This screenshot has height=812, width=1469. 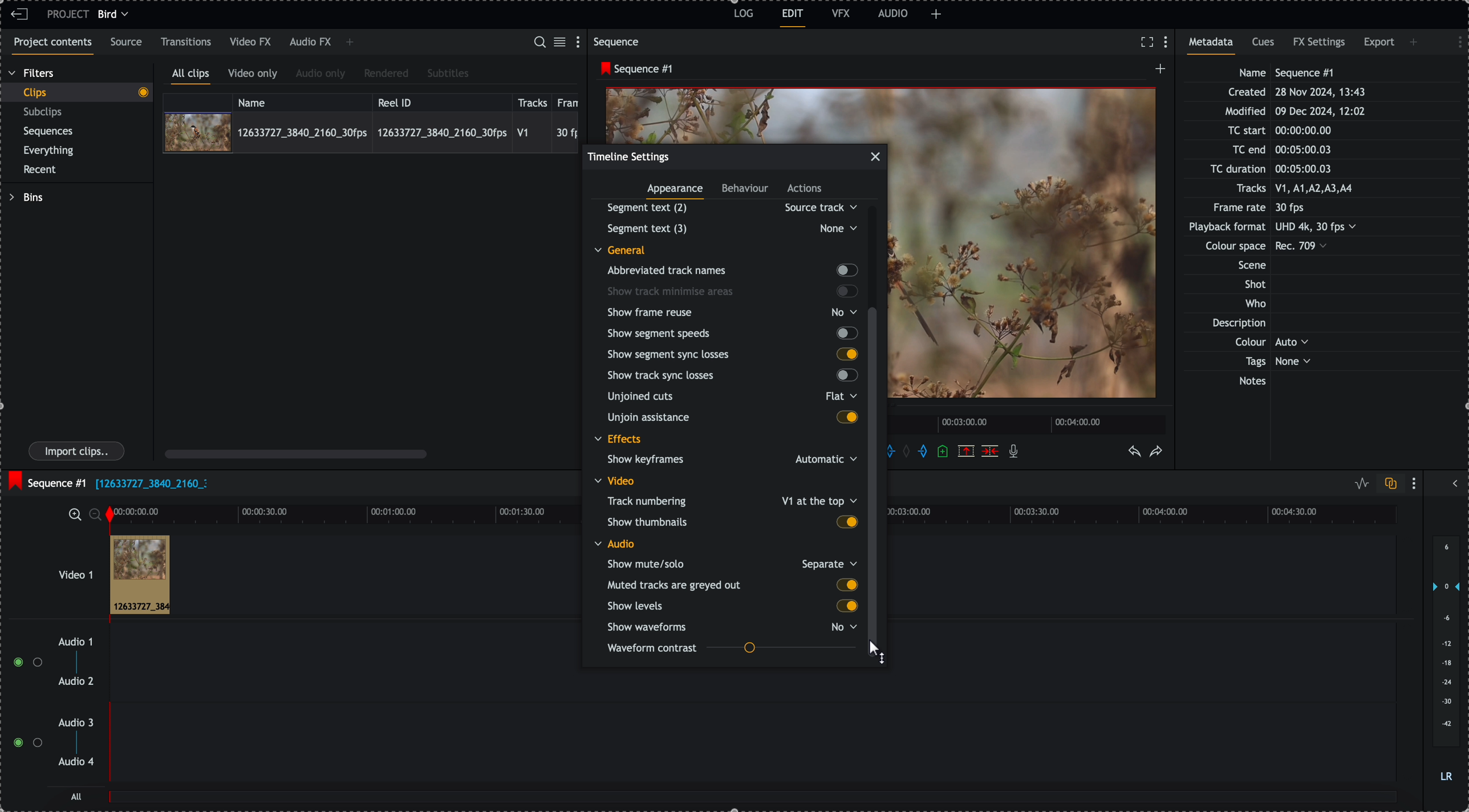 I want to click on mouse up, so click(x=877, y=651).